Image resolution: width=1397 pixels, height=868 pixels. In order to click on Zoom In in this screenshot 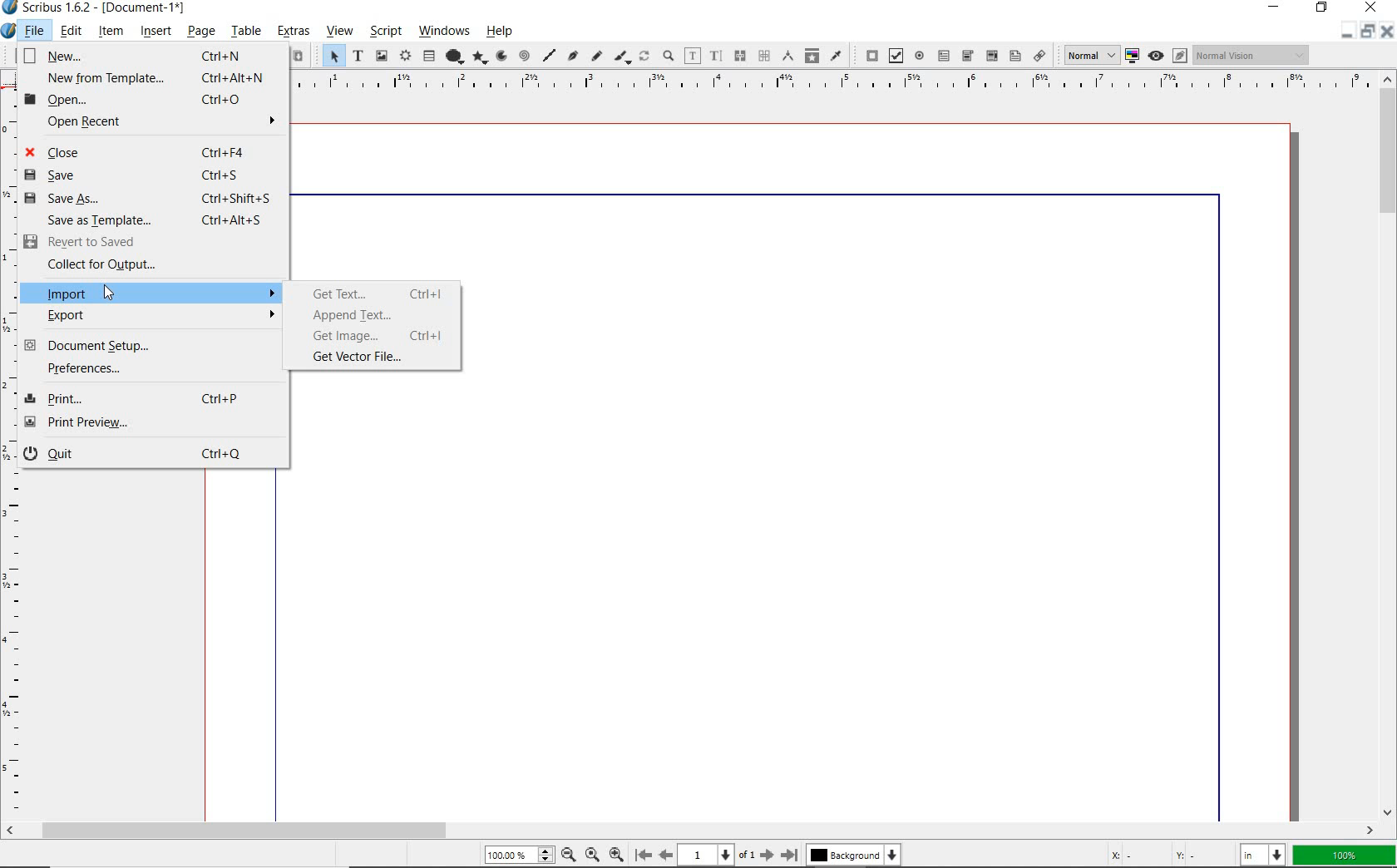, I will do `click(616, 856)`.